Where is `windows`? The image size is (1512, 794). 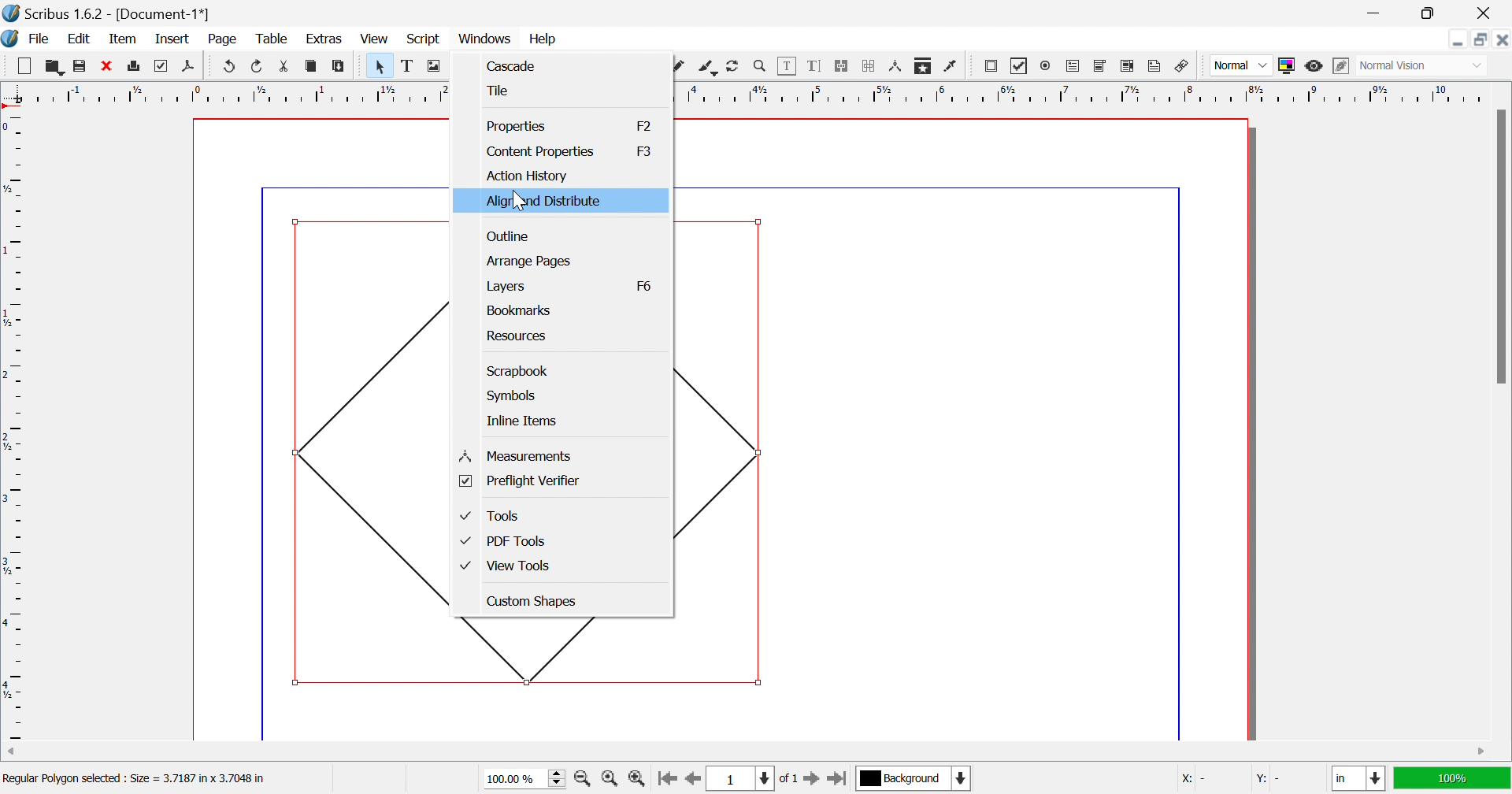 windows is located at coordinates (487, 39).